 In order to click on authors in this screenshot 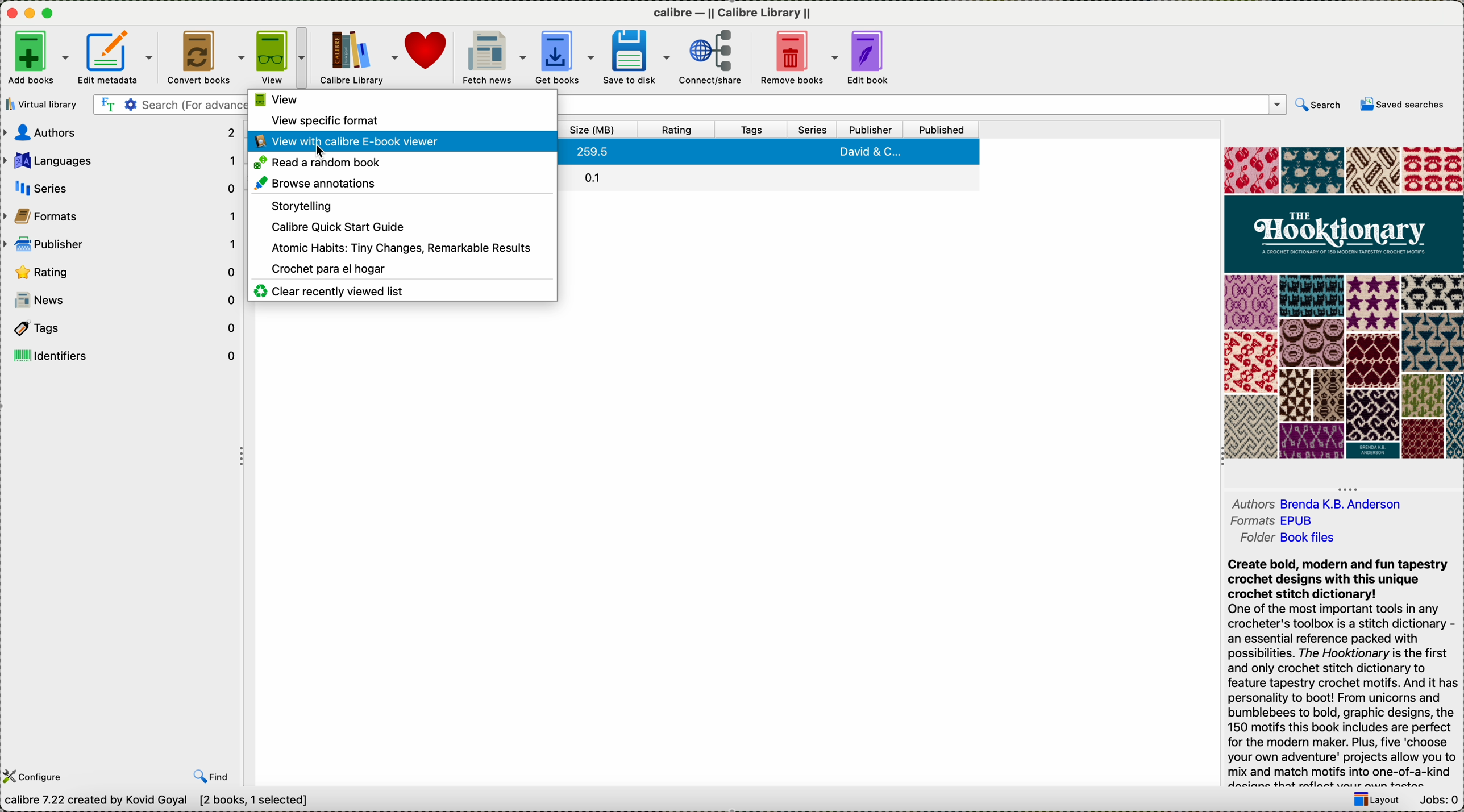, I will do `click(120, 133)`.